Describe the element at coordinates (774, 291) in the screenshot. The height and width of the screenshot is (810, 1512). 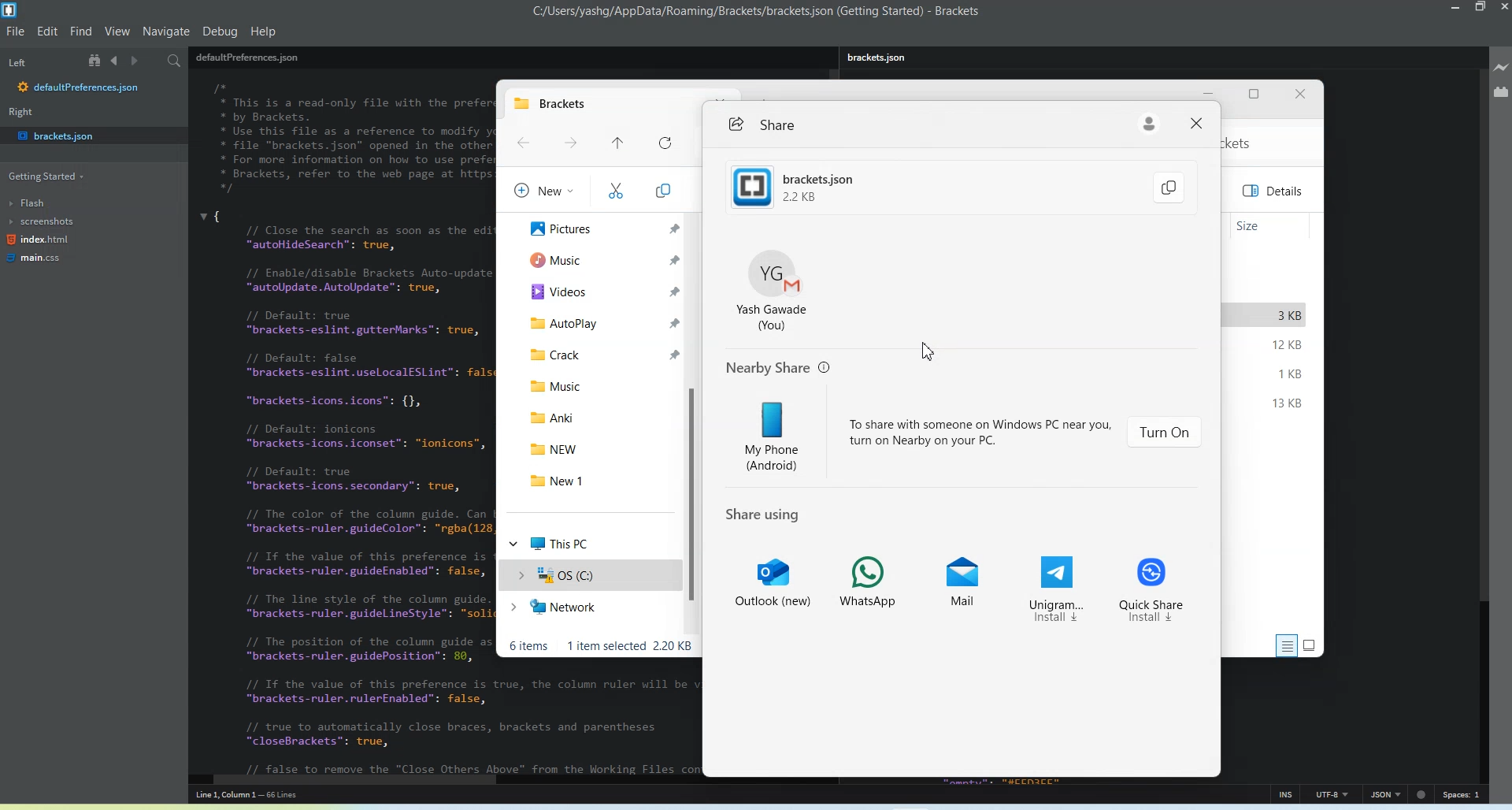
I see `Account` at that location.